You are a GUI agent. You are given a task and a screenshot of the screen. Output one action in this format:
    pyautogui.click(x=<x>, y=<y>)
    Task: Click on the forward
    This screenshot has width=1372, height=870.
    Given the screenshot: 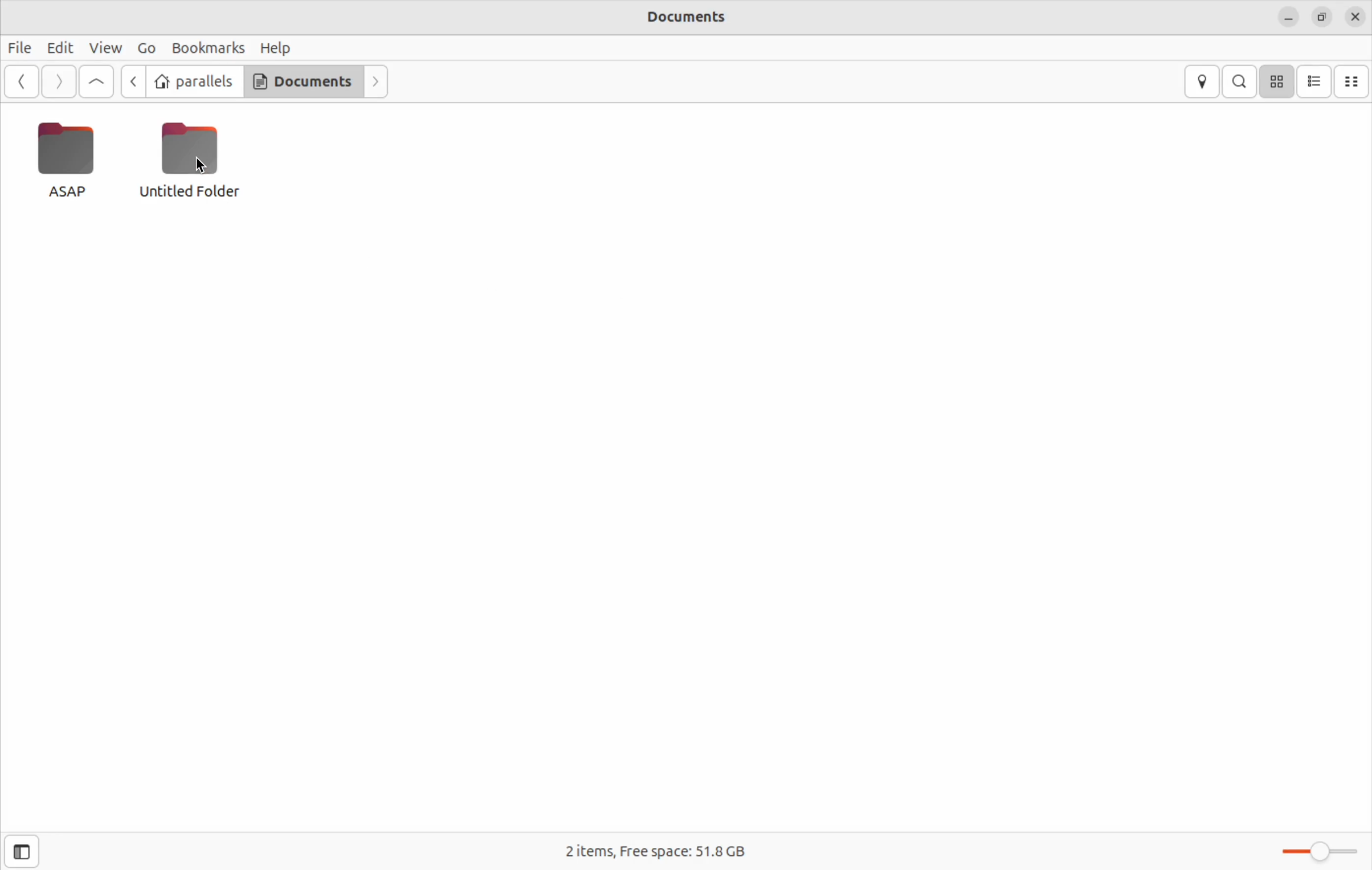 What is the action you would take?
    pyautogui.click(x=58, y=82)
    